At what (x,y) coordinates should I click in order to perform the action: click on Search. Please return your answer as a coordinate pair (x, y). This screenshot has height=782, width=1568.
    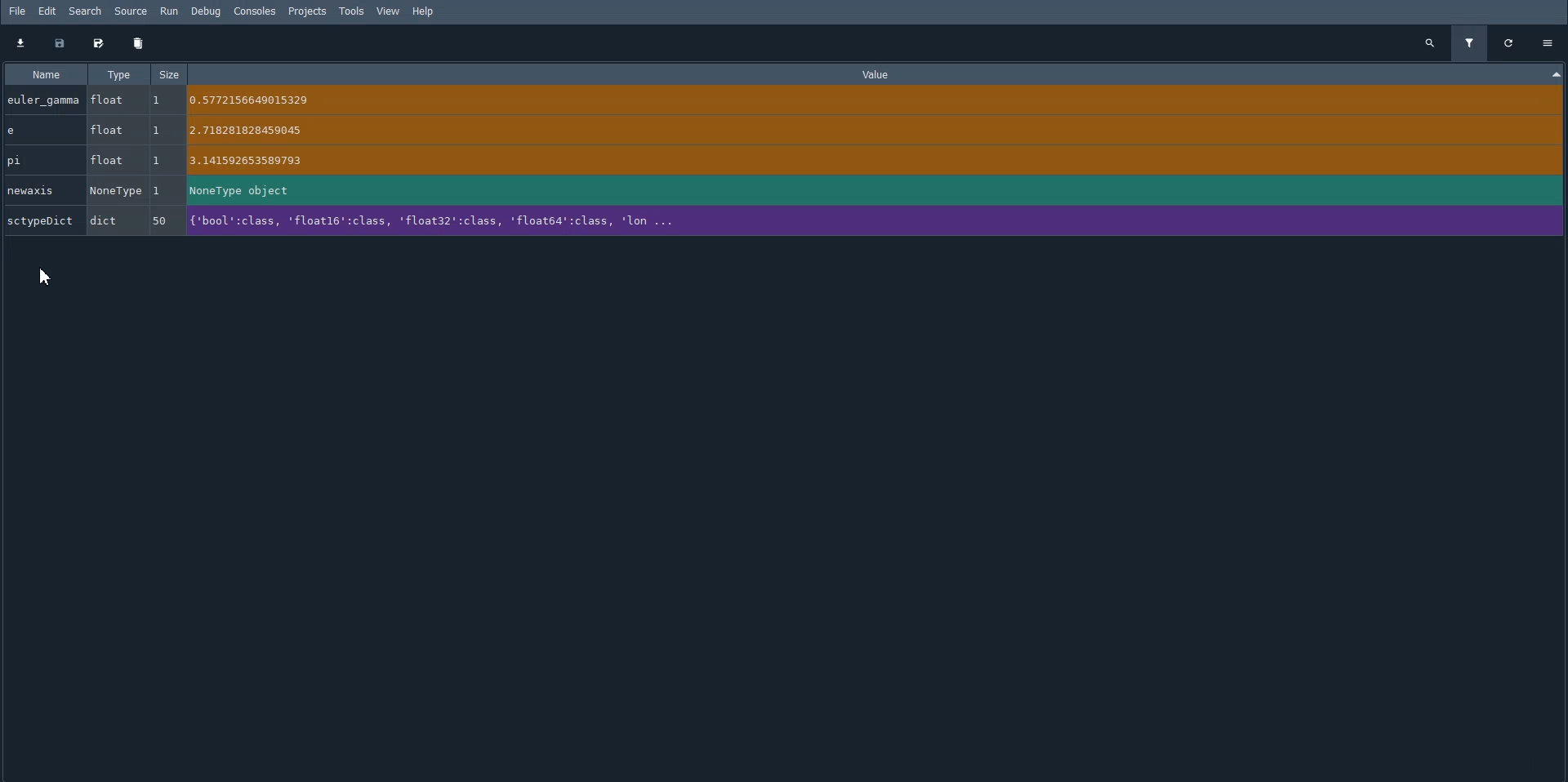
    Looking at the image, I should click on (86, 11).